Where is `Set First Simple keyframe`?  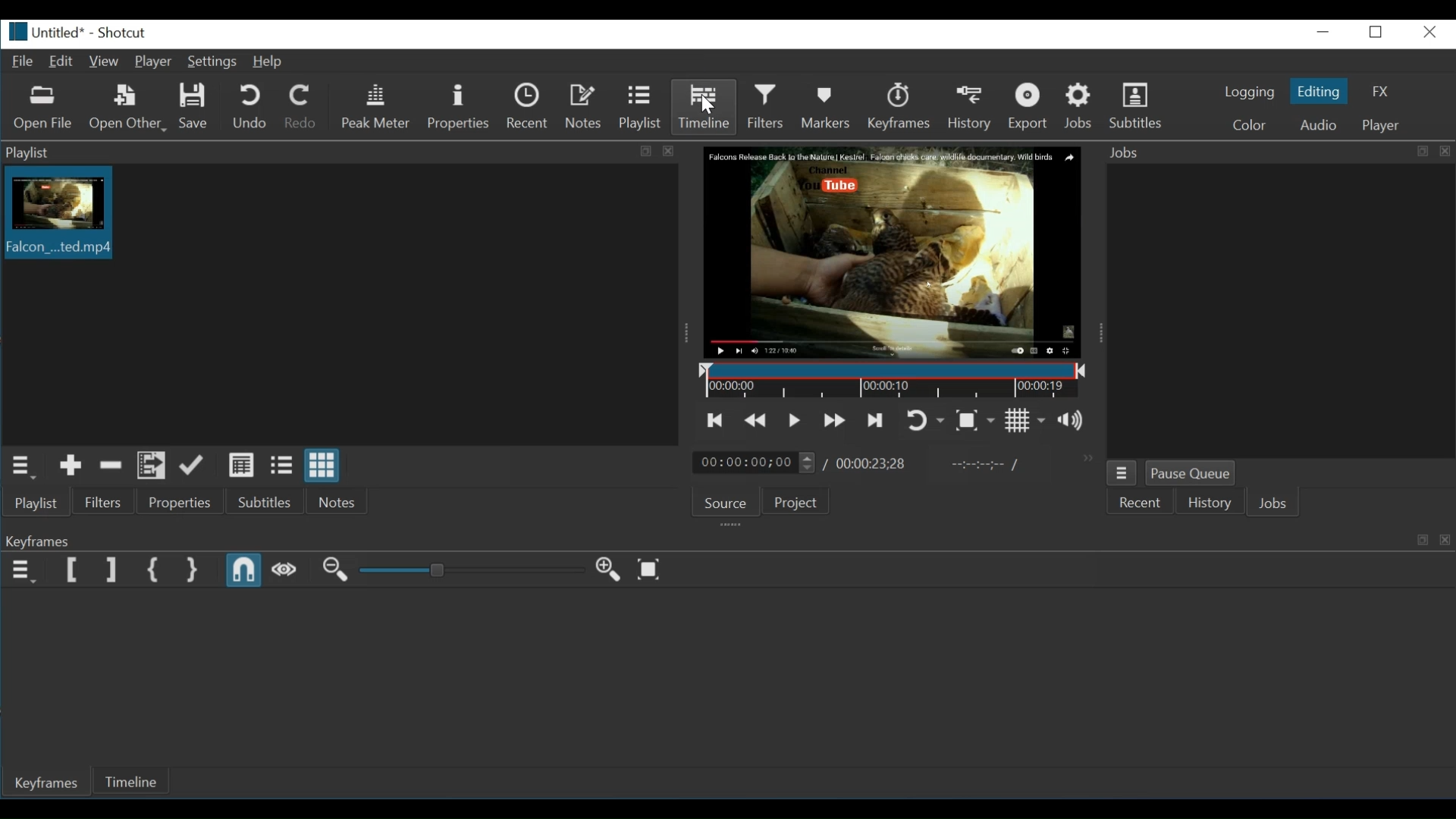
Set First Simple keyframe is located at coordinates (155, 571).